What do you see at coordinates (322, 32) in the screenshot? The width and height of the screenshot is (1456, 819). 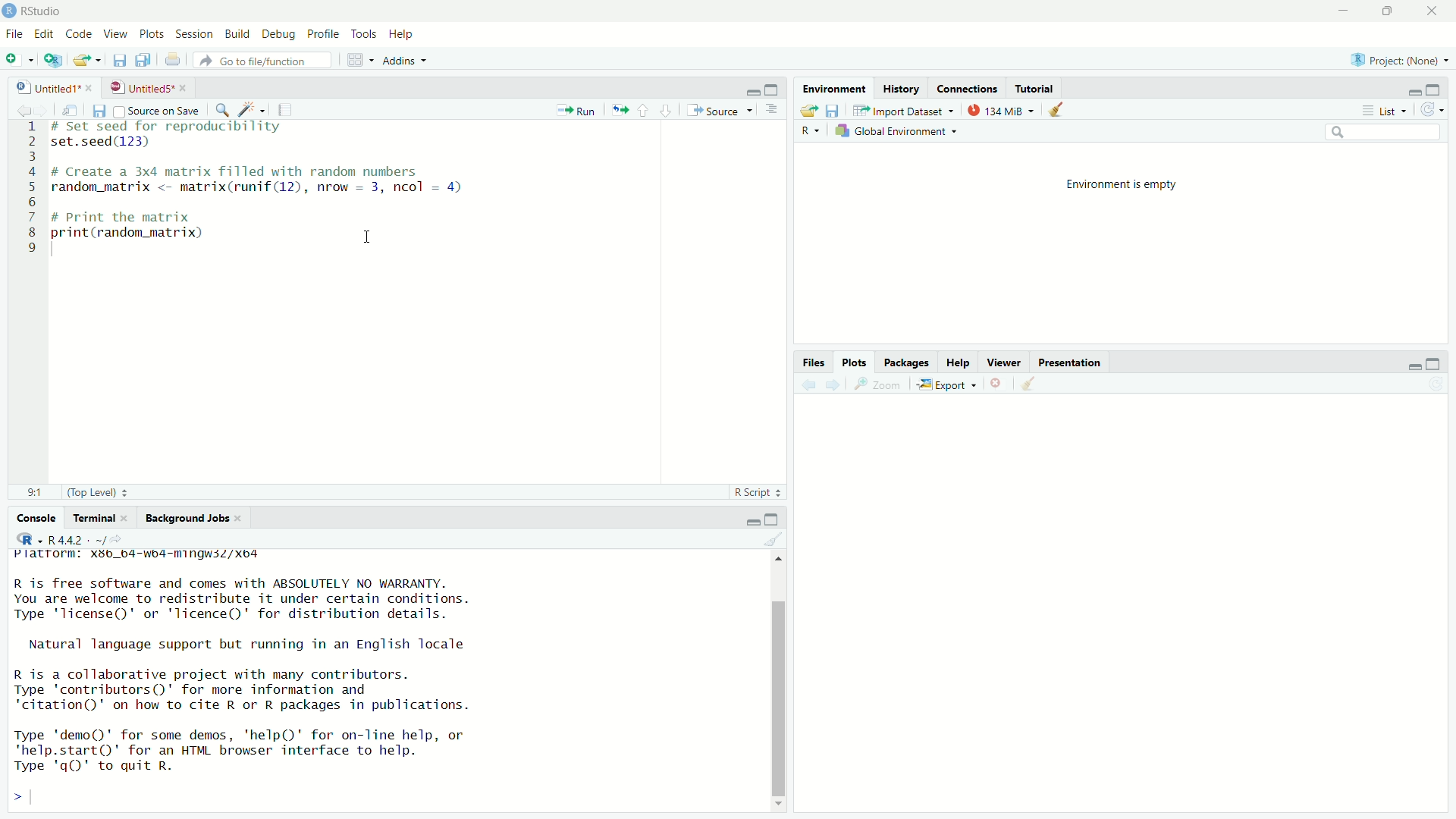 I see `Profile` at bounding box center [322, 32].